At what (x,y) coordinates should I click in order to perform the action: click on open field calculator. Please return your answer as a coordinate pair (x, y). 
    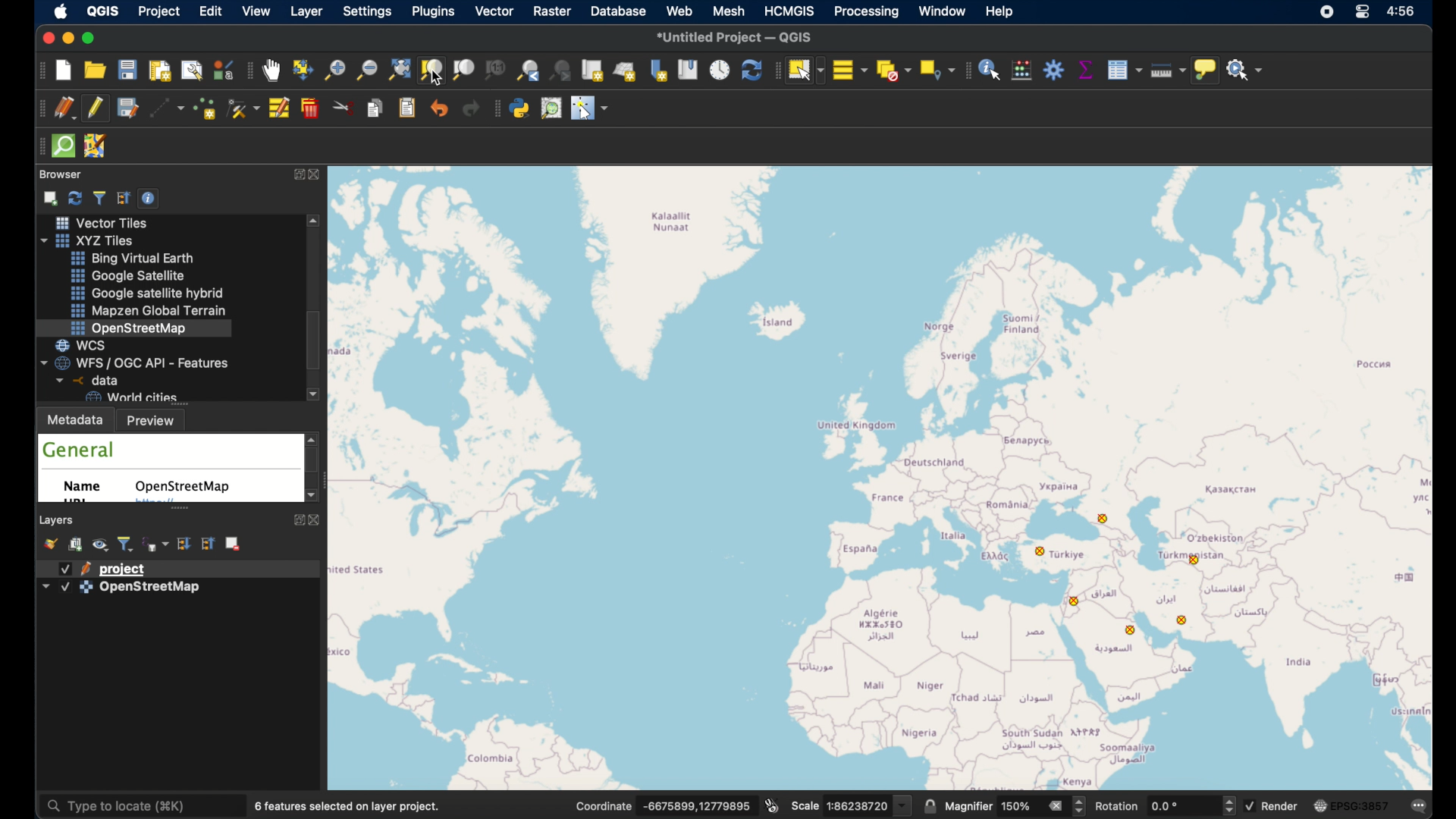
    Looking at the image, I should click on (1022, 70).